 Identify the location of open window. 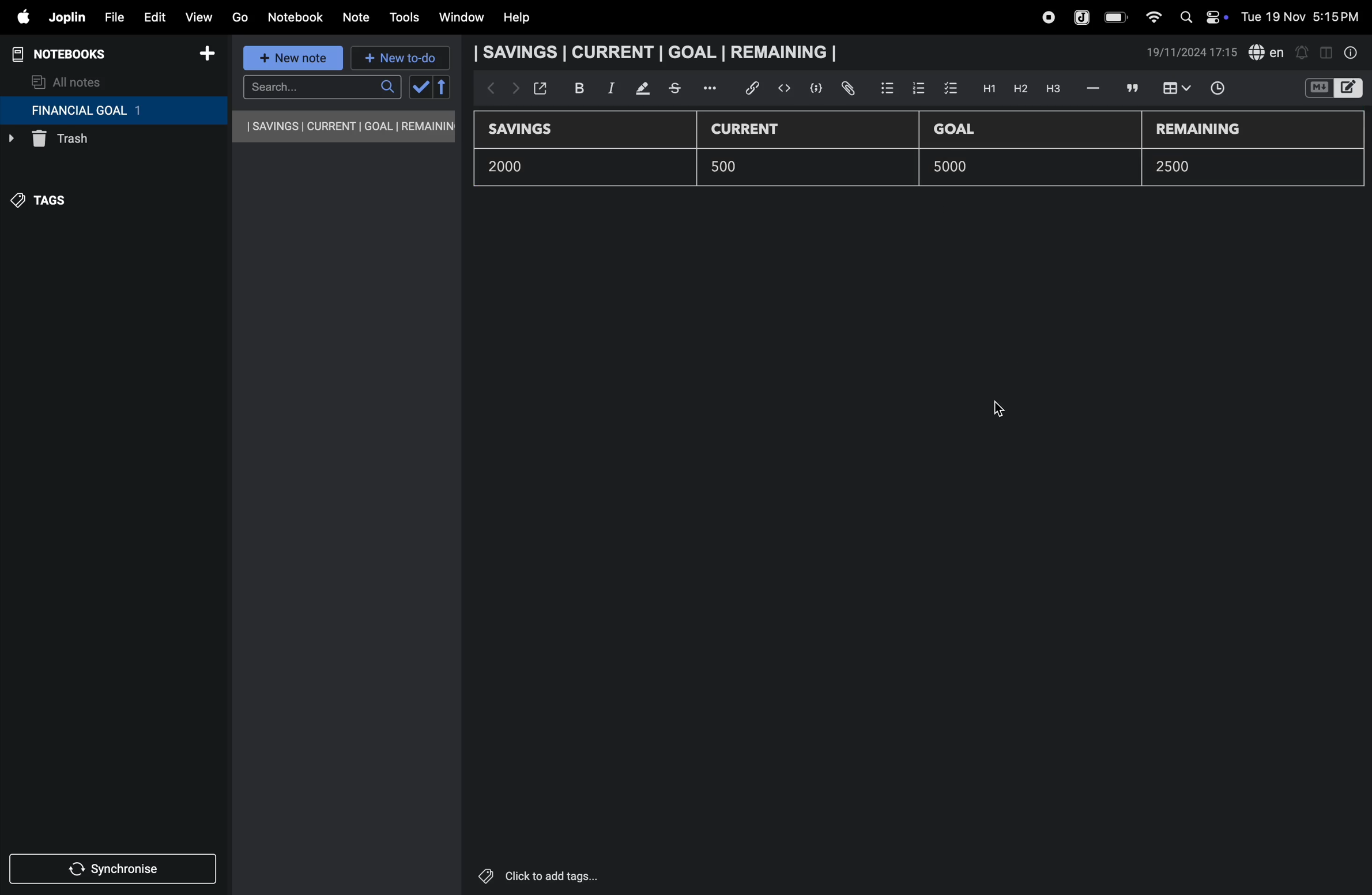
(539, 88).